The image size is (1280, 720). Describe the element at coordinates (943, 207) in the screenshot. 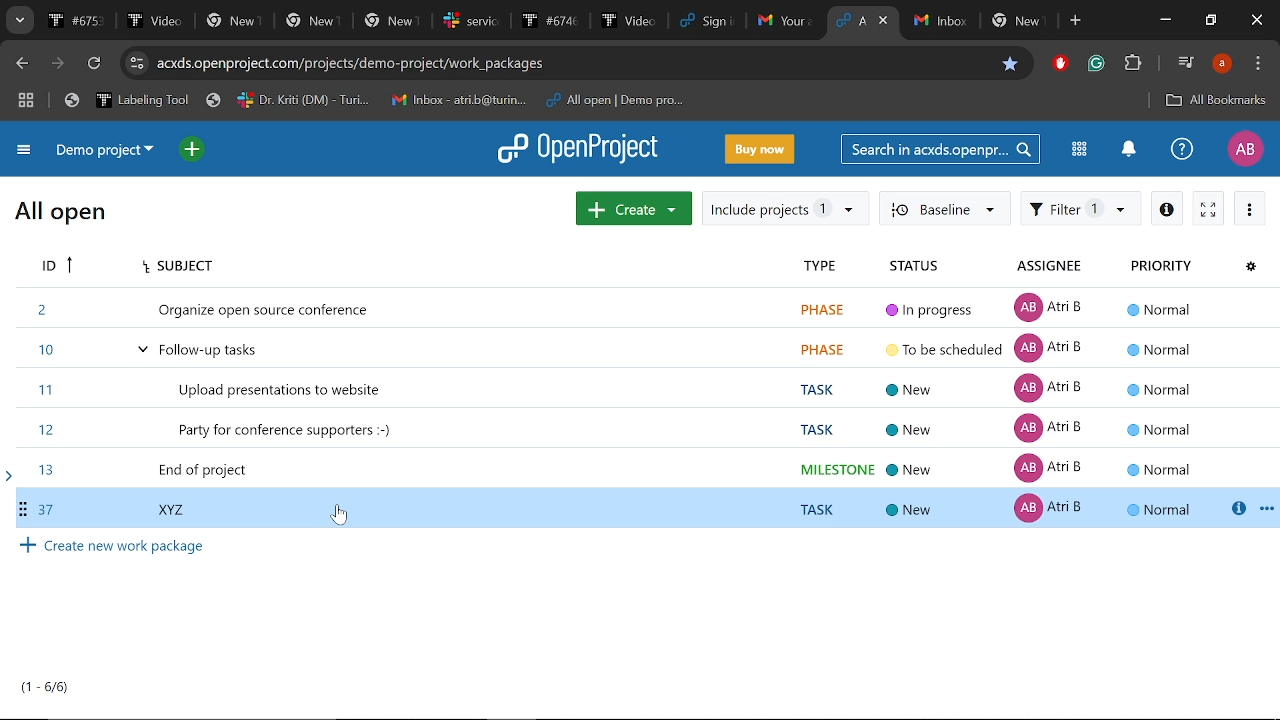

I see `Baseline` at that location.